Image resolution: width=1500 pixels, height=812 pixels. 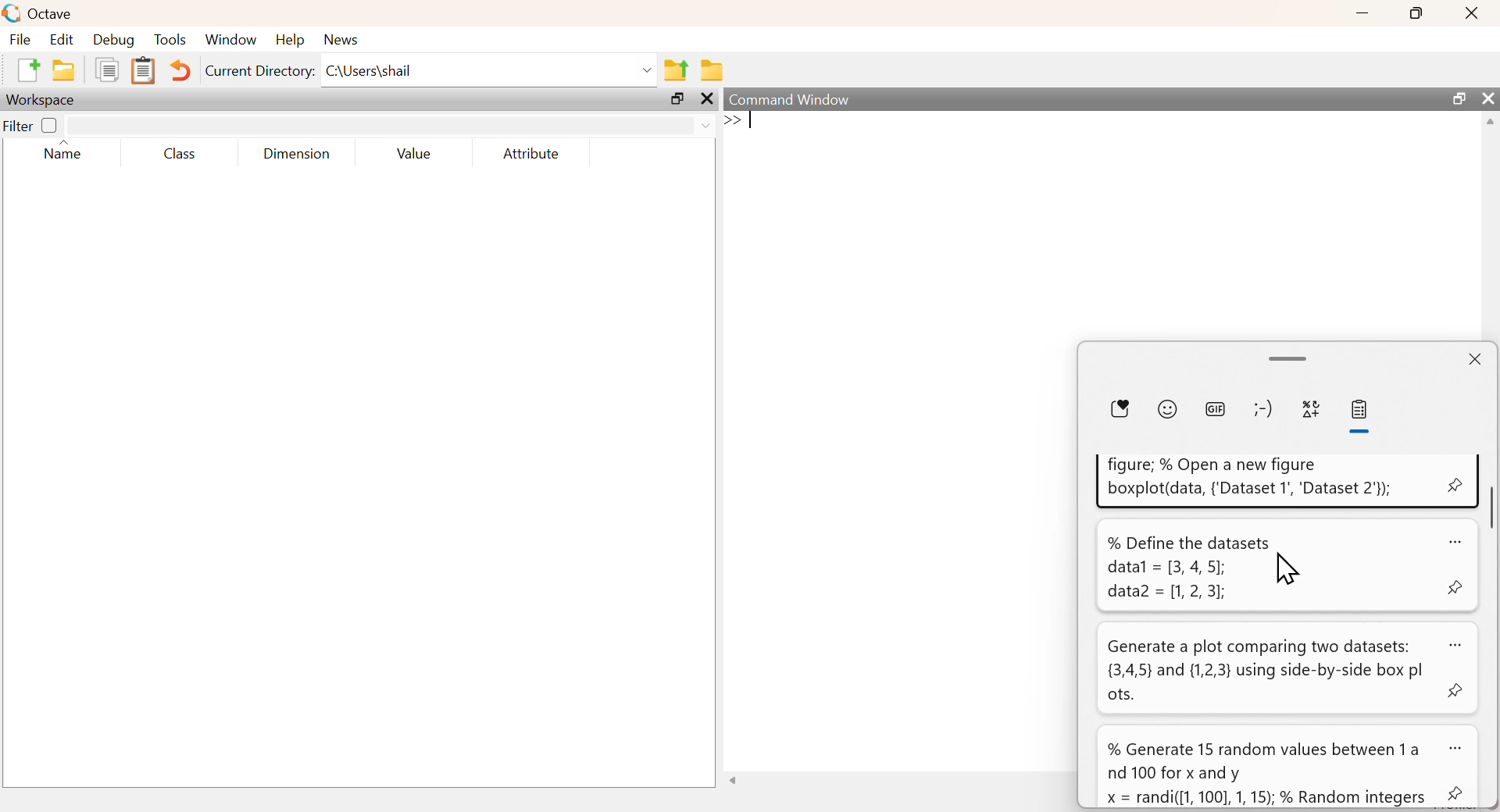 What do you see at coordinates (182, 72) in the screenshot?
I see `Undo` at bounding box center [182, 72].